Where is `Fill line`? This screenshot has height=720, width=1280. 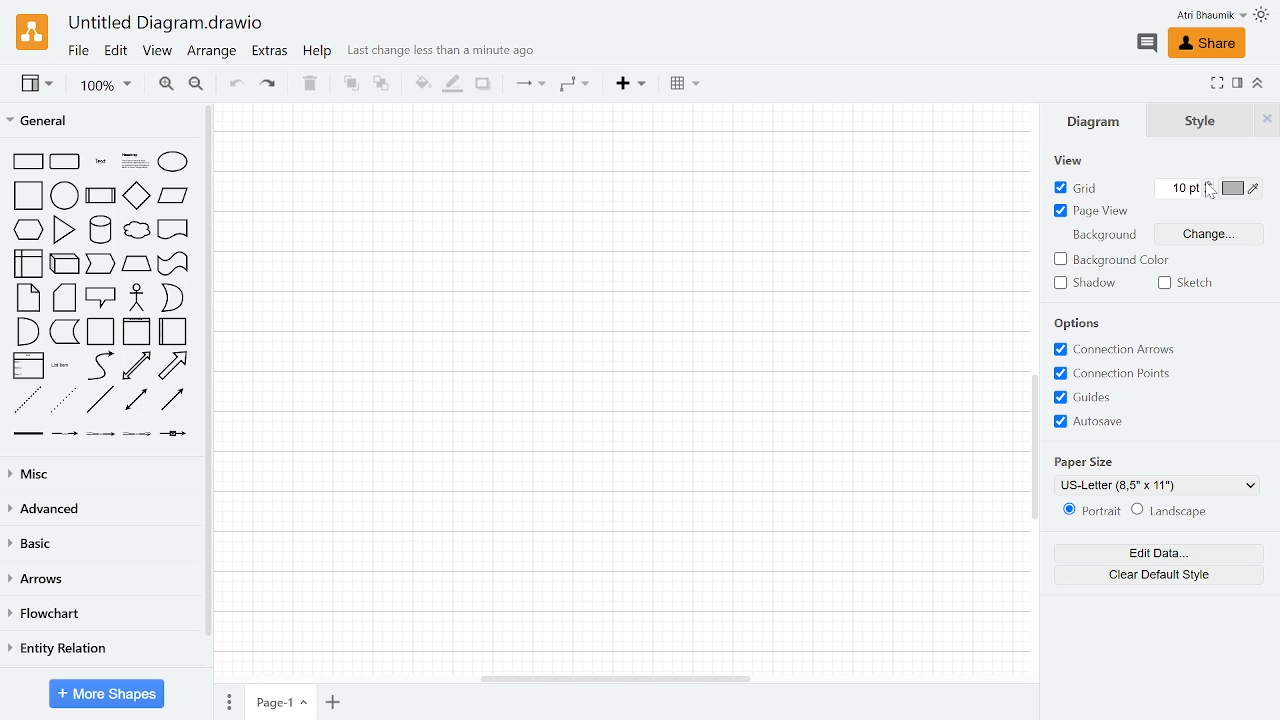
Fill line is located at coordinates (452, 85).